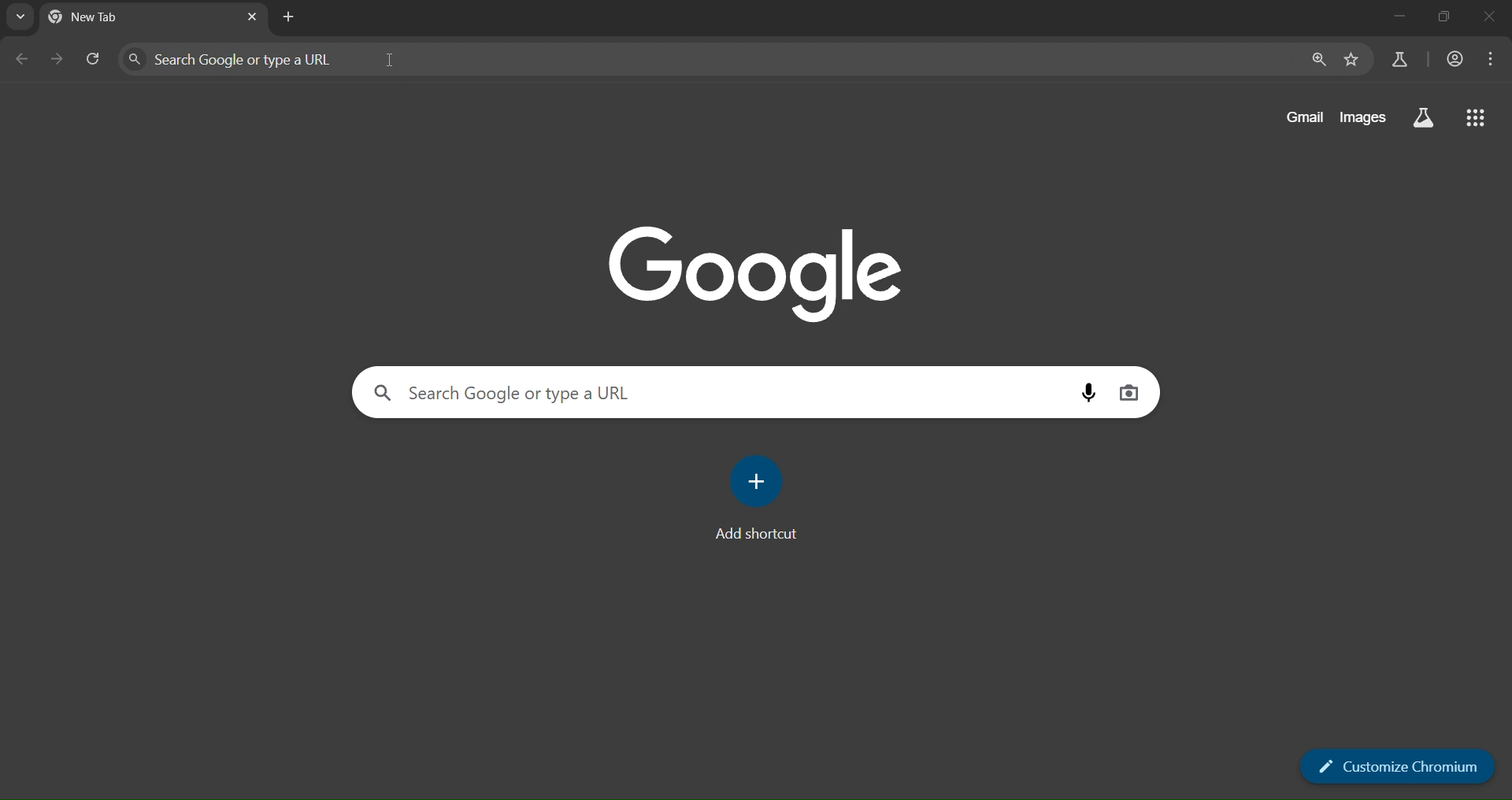 The height and width of the screenshot is (800, 1512). What do you see at coordinates (1320, 59) in the screenshot?
I see `zoom` at bounding box center [1320, 59].